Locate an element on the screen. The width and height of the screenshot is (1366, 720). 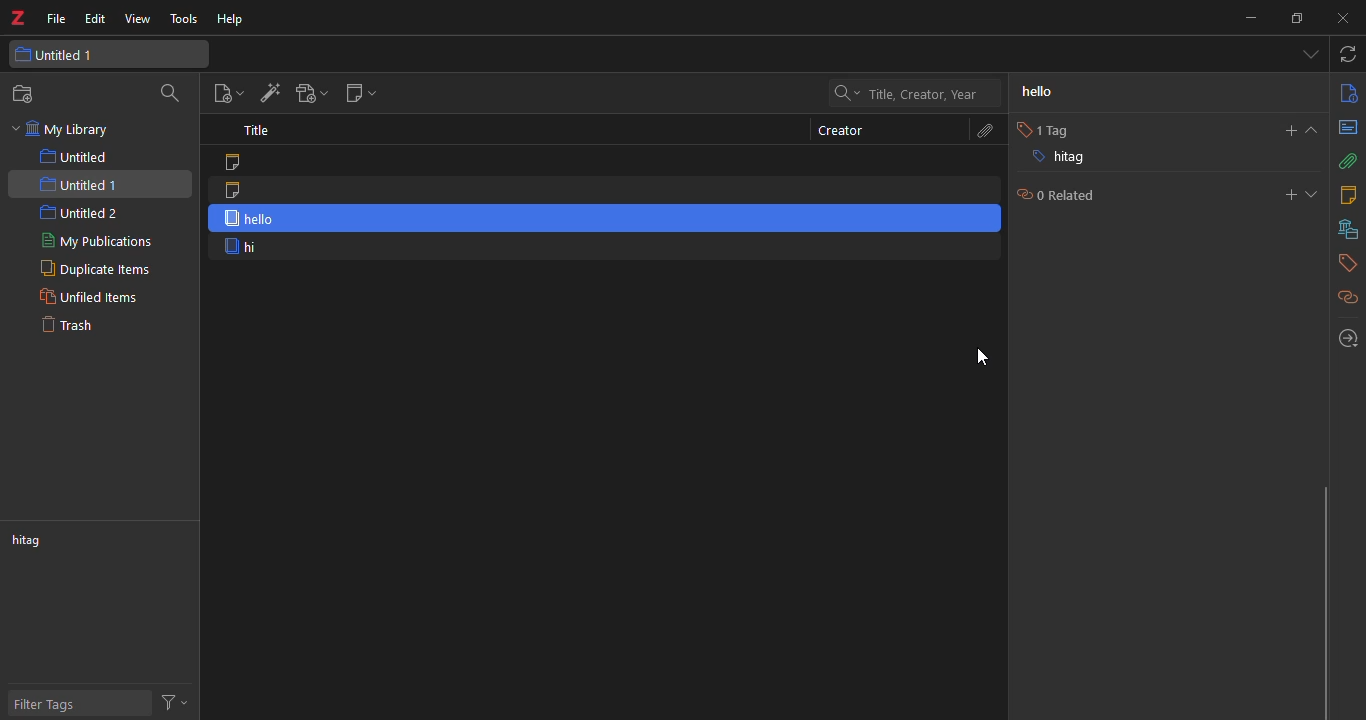
creator is located at coordinates (834, 130).